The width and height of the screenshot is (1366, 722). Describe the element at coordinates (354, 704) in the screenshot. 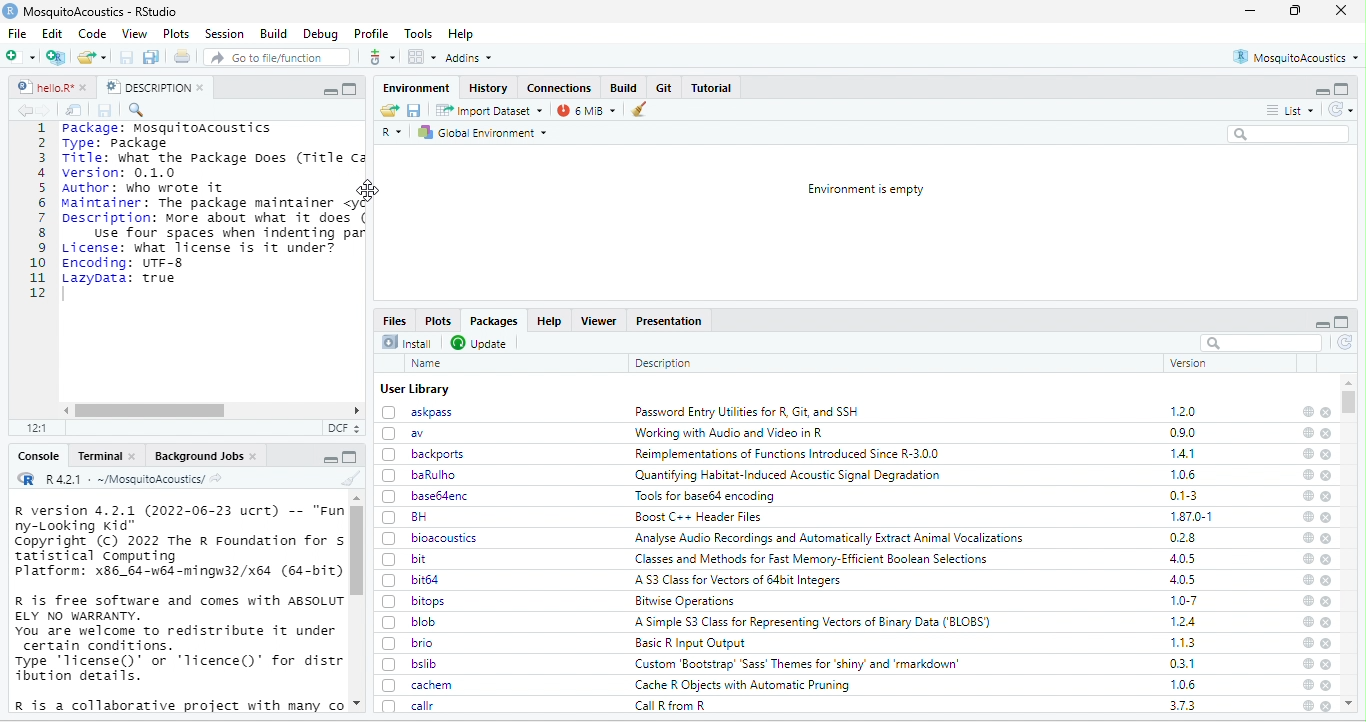

I see `scroll down` at that location.